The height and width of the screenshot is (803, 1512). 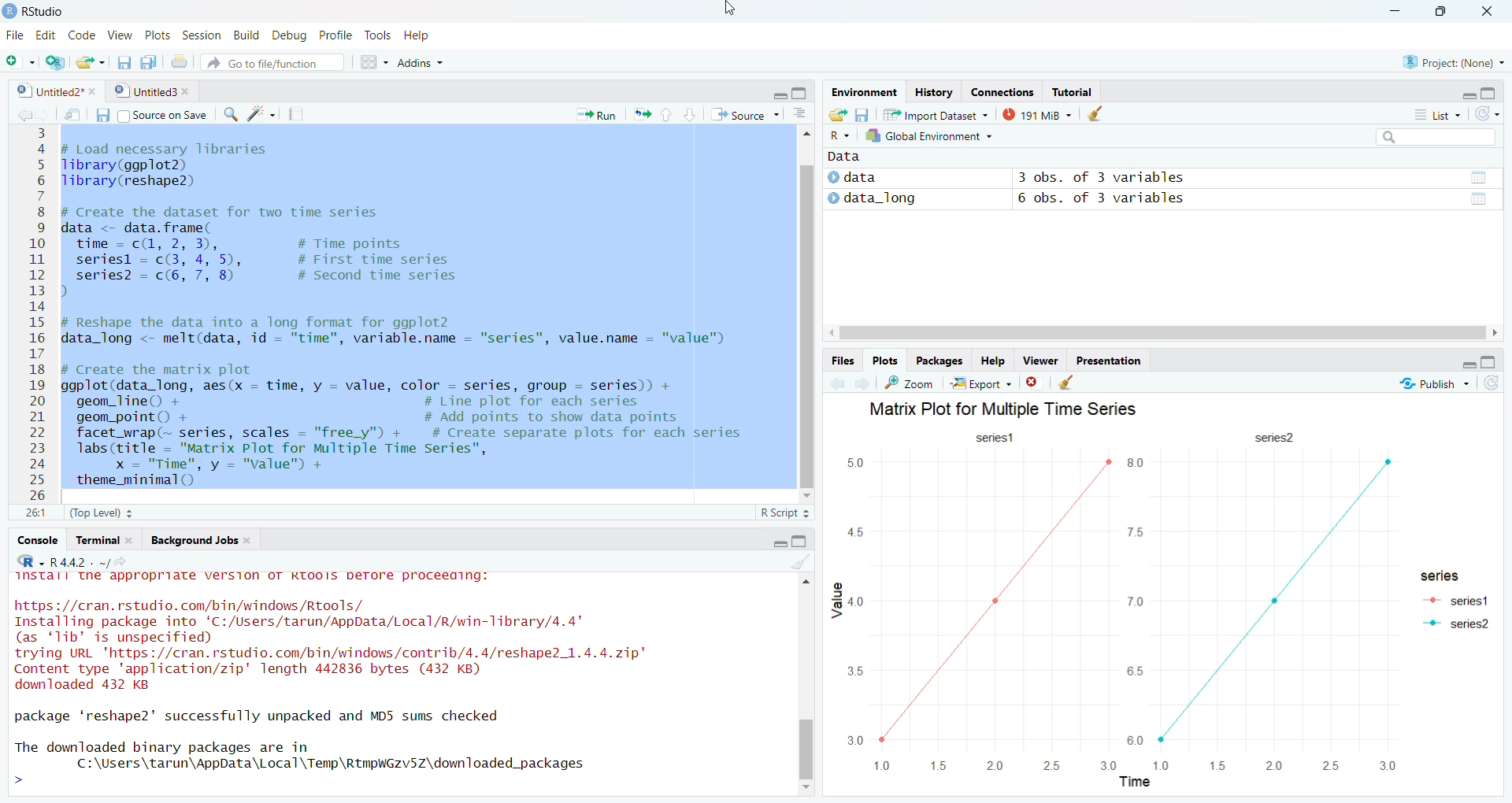 I want to click on Presentation, so click(x=1106, y=358).